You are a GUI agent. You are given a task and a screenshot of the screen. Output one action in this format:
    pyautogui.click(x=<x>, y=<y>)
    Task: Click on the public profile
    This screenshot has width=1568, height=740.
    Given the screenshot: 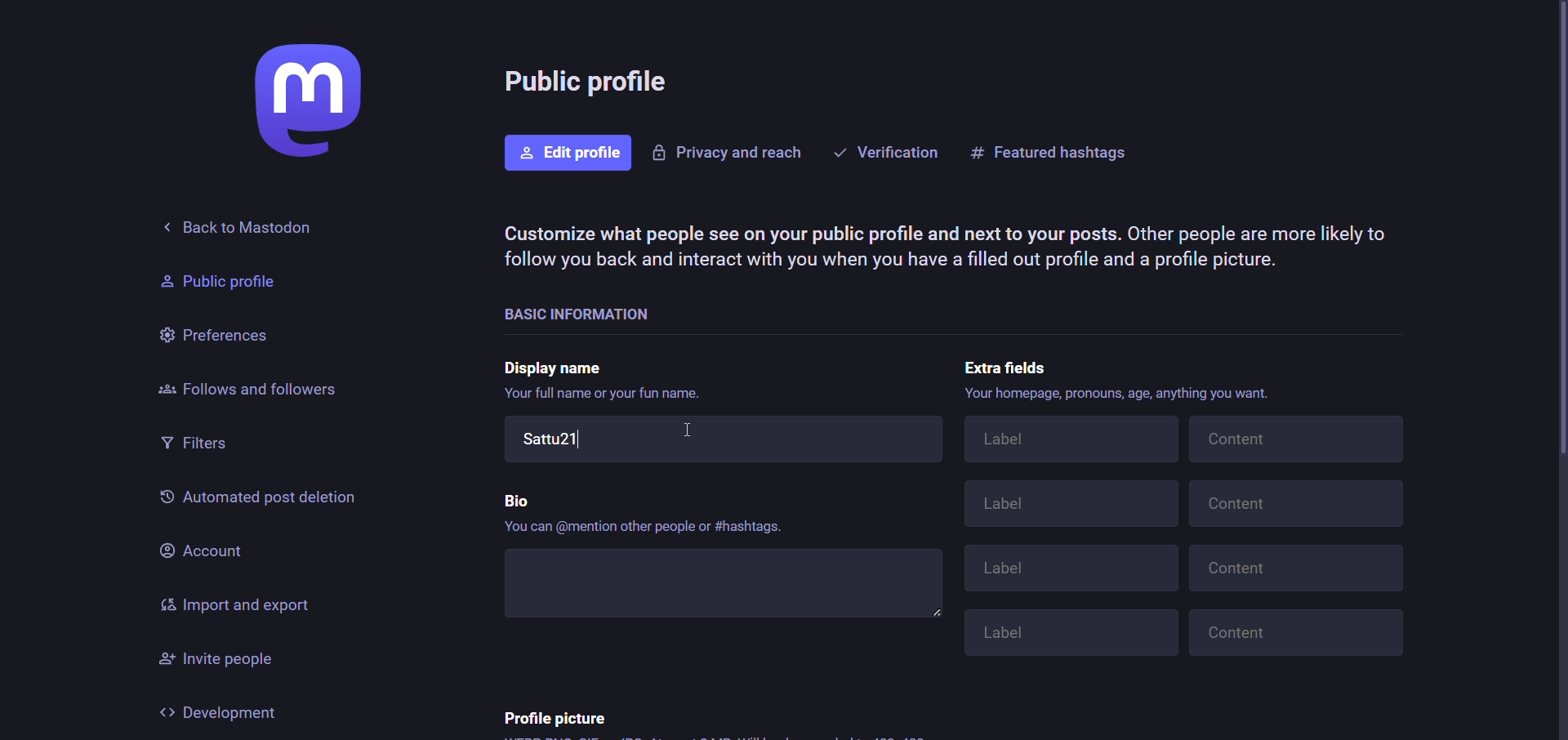 What is the action you would take?
    pyautogui.click(x=591, y=84)
    